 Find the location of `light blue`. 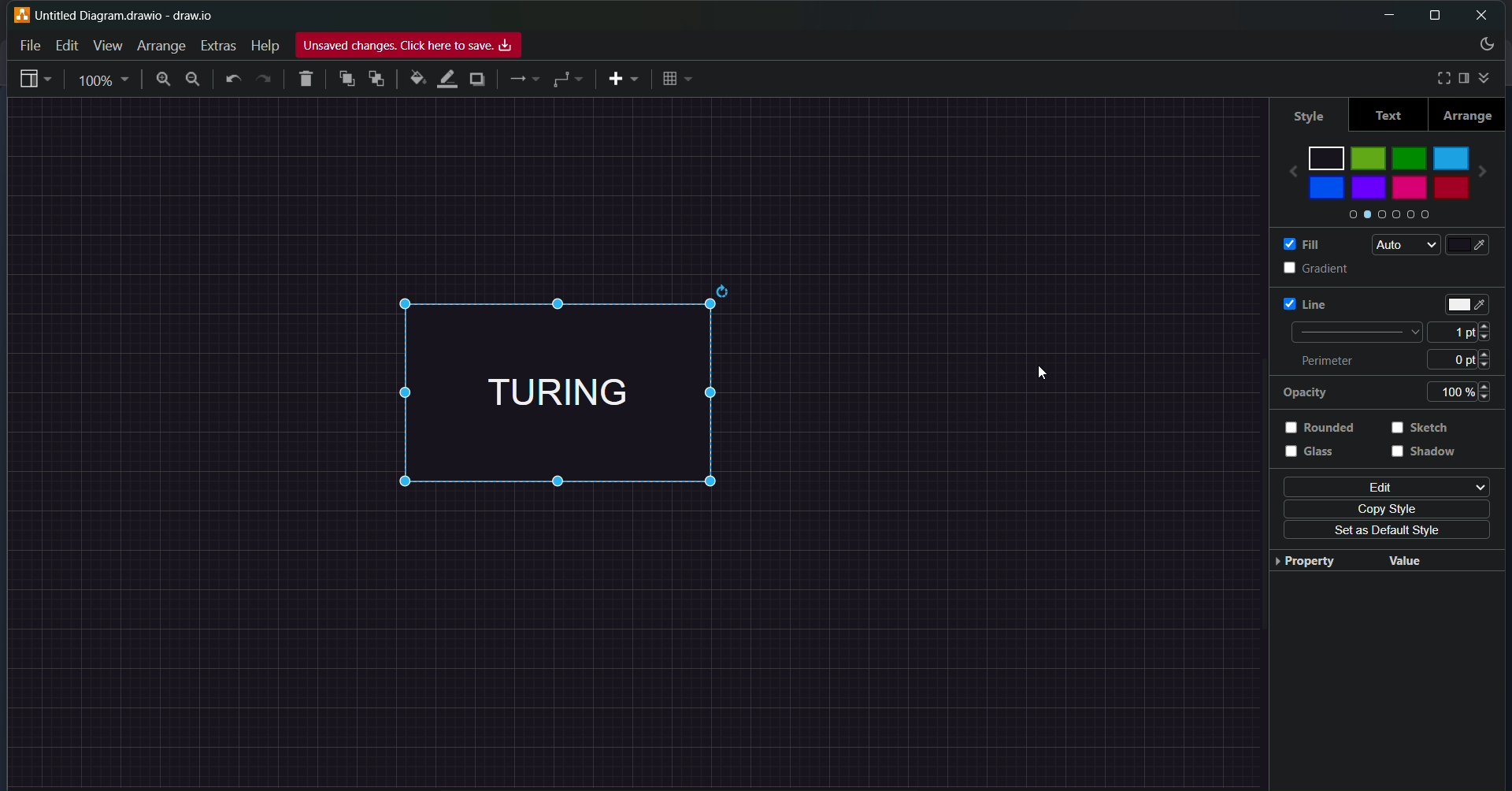

light blue is located at coordinates (1452, 155).